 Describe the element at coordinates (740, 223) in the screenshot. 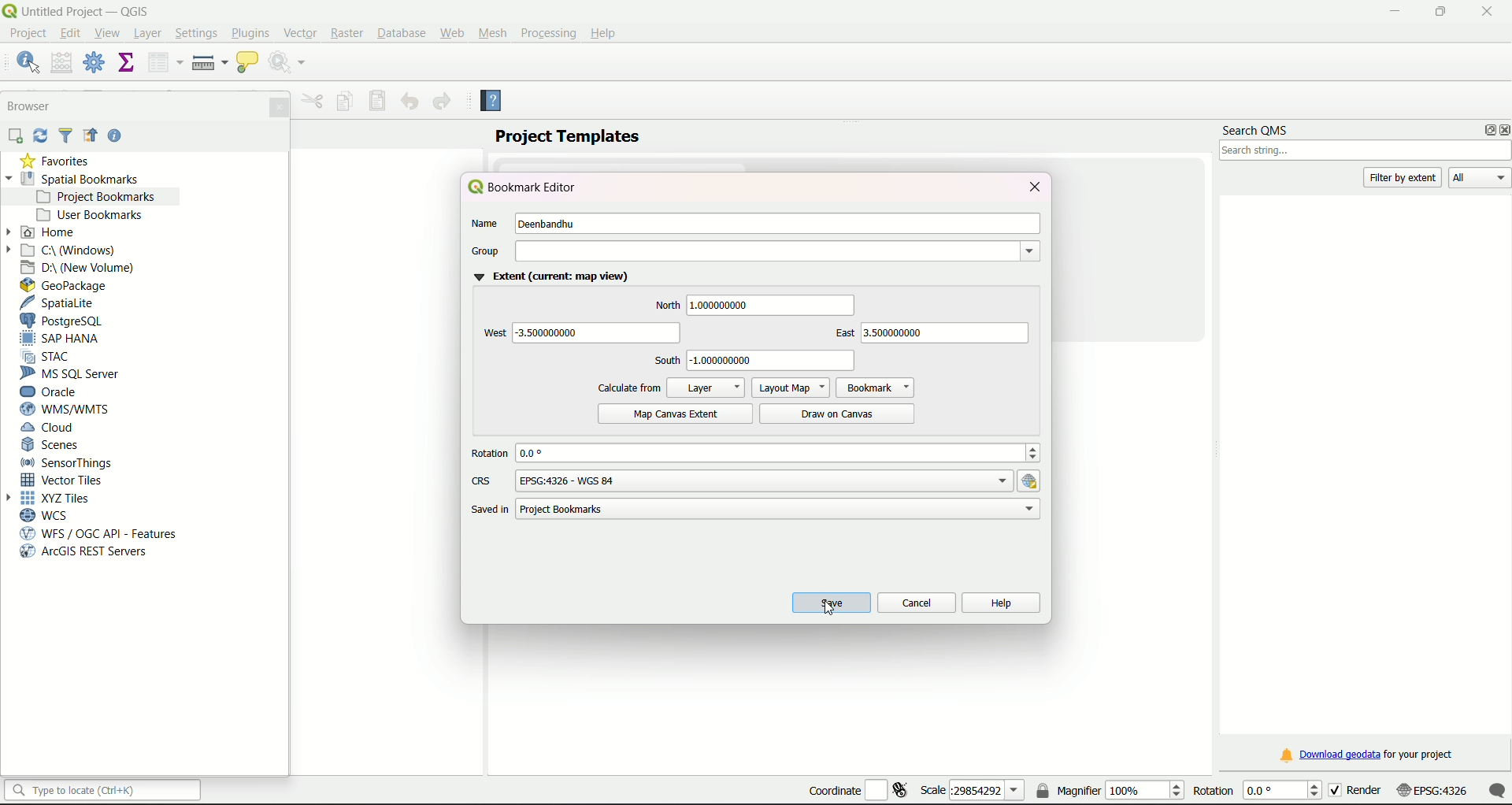

I see `name` at that location.